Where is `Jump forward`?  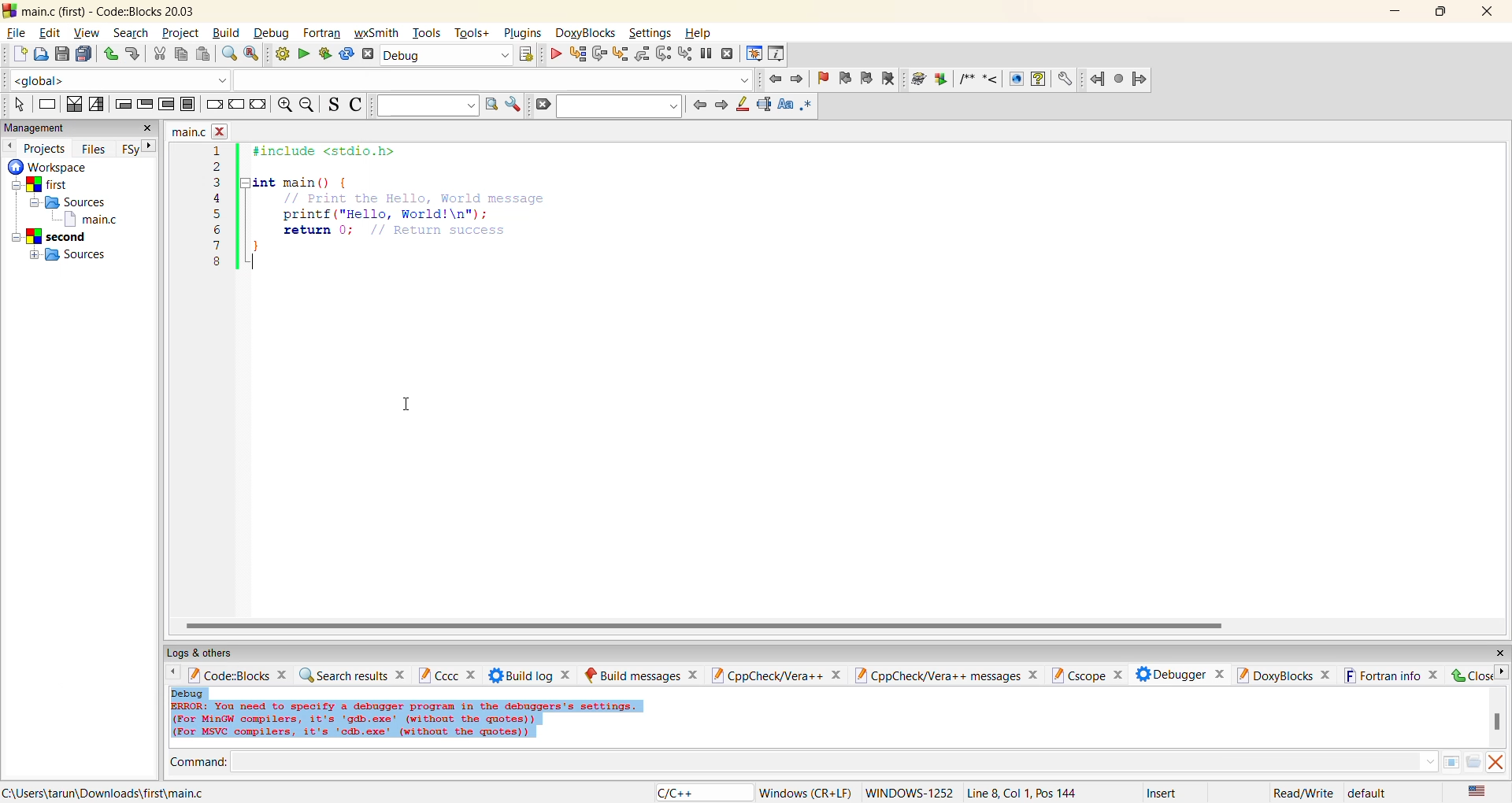
Jump forward is located at coordinates (1140, 79).